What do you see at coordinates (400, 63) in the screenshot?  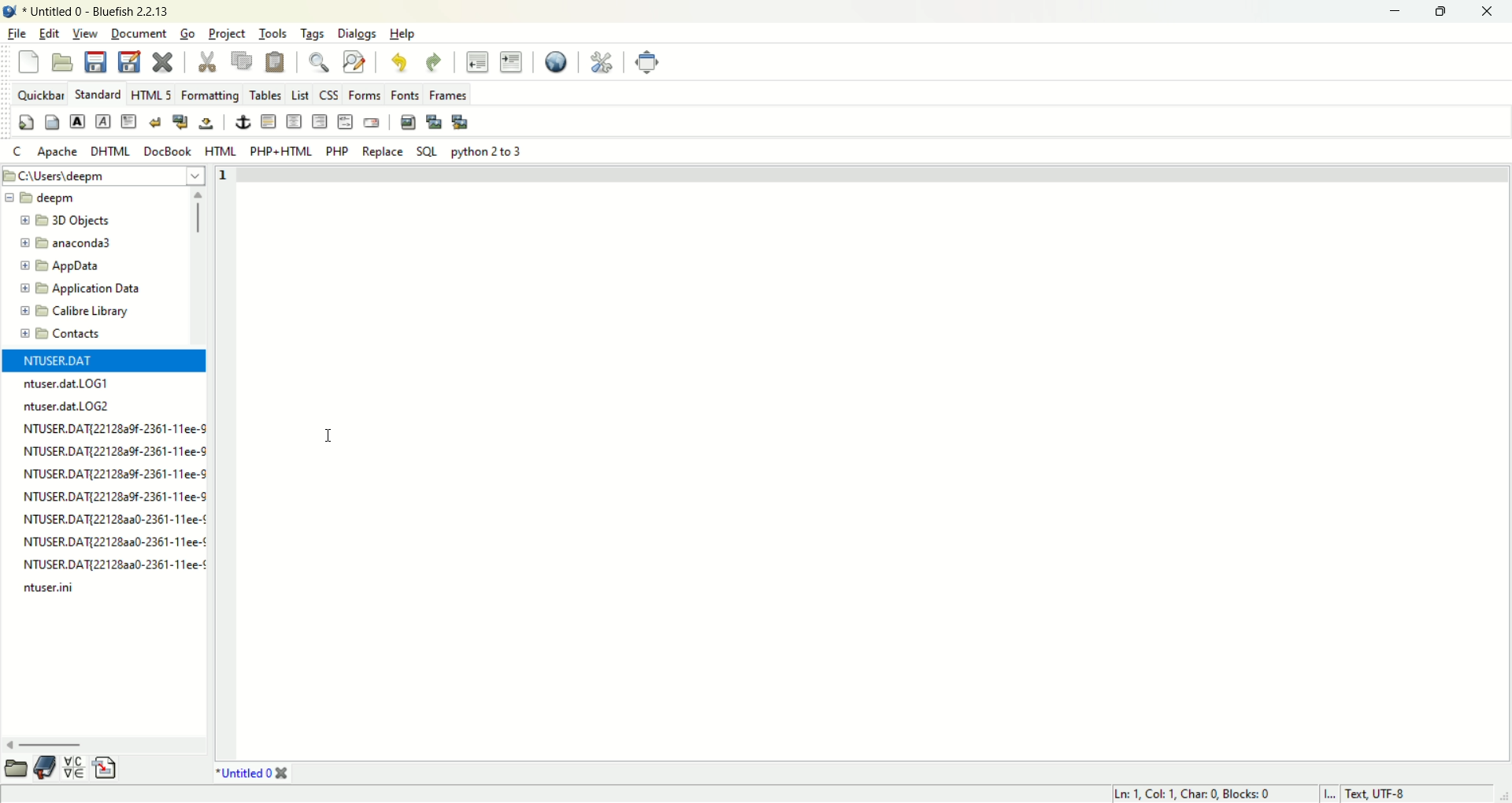 I see `undo` at bounding box center [400, 63].